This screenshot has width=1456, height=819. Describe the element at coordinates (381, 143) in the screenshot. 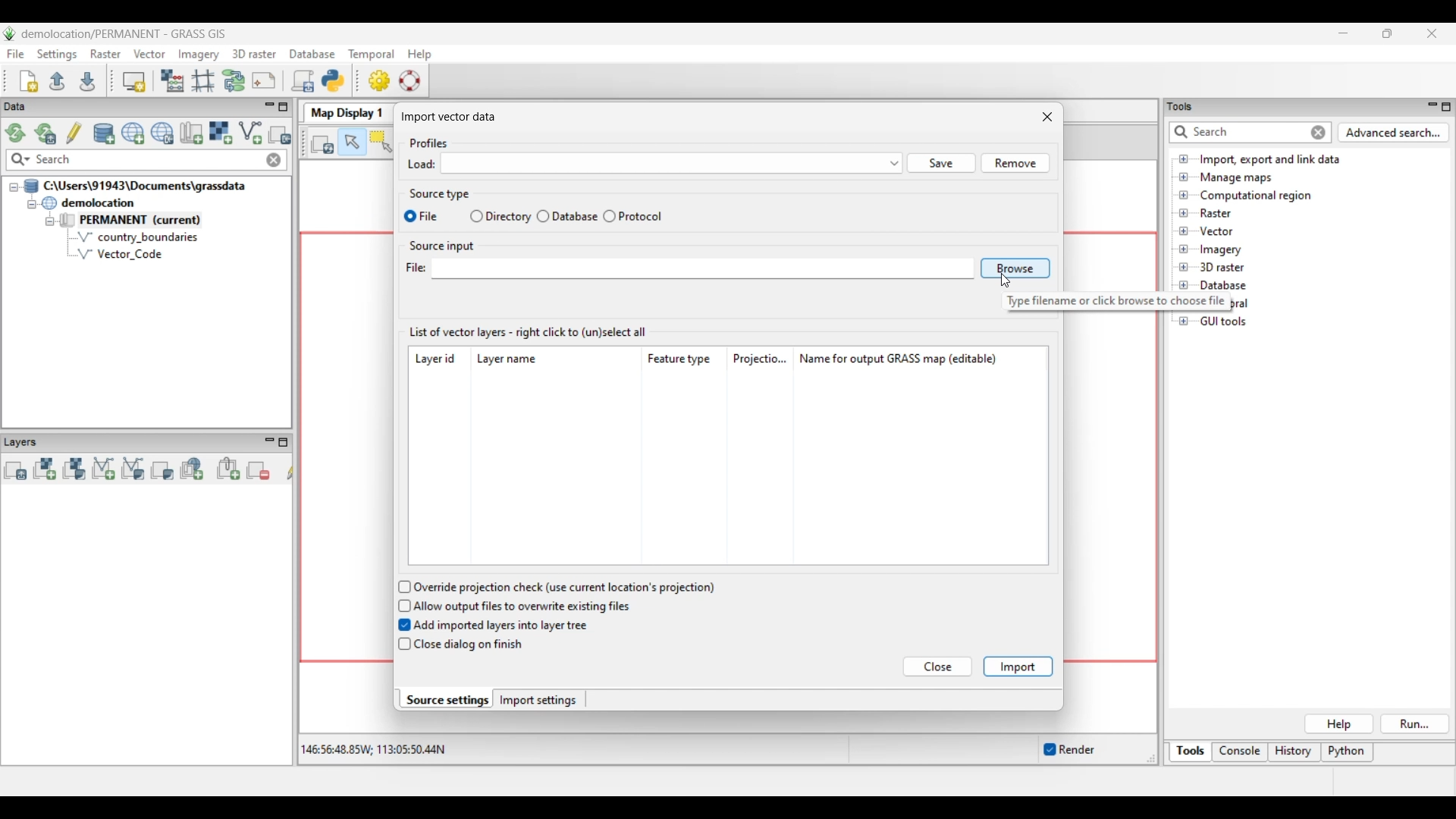

I see `Select vector feature(s)` at that location.